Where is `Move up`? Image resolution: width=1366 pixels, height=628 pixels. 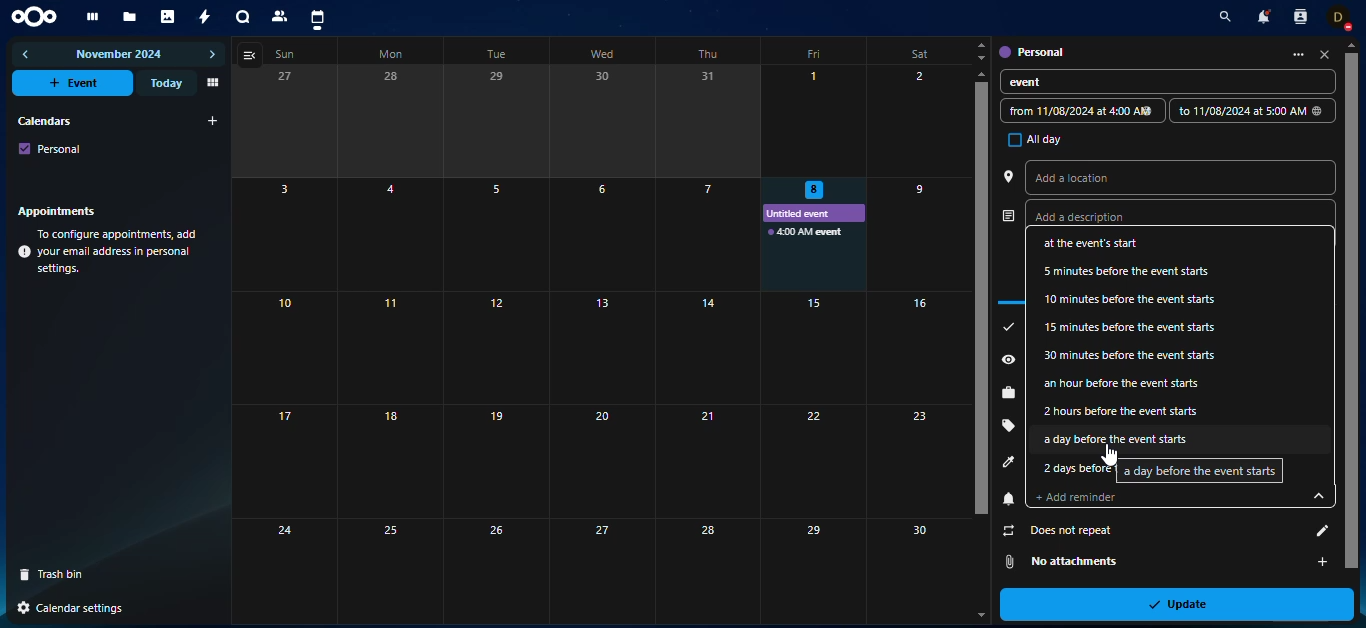 Move up is located at coordinates (981, 74).